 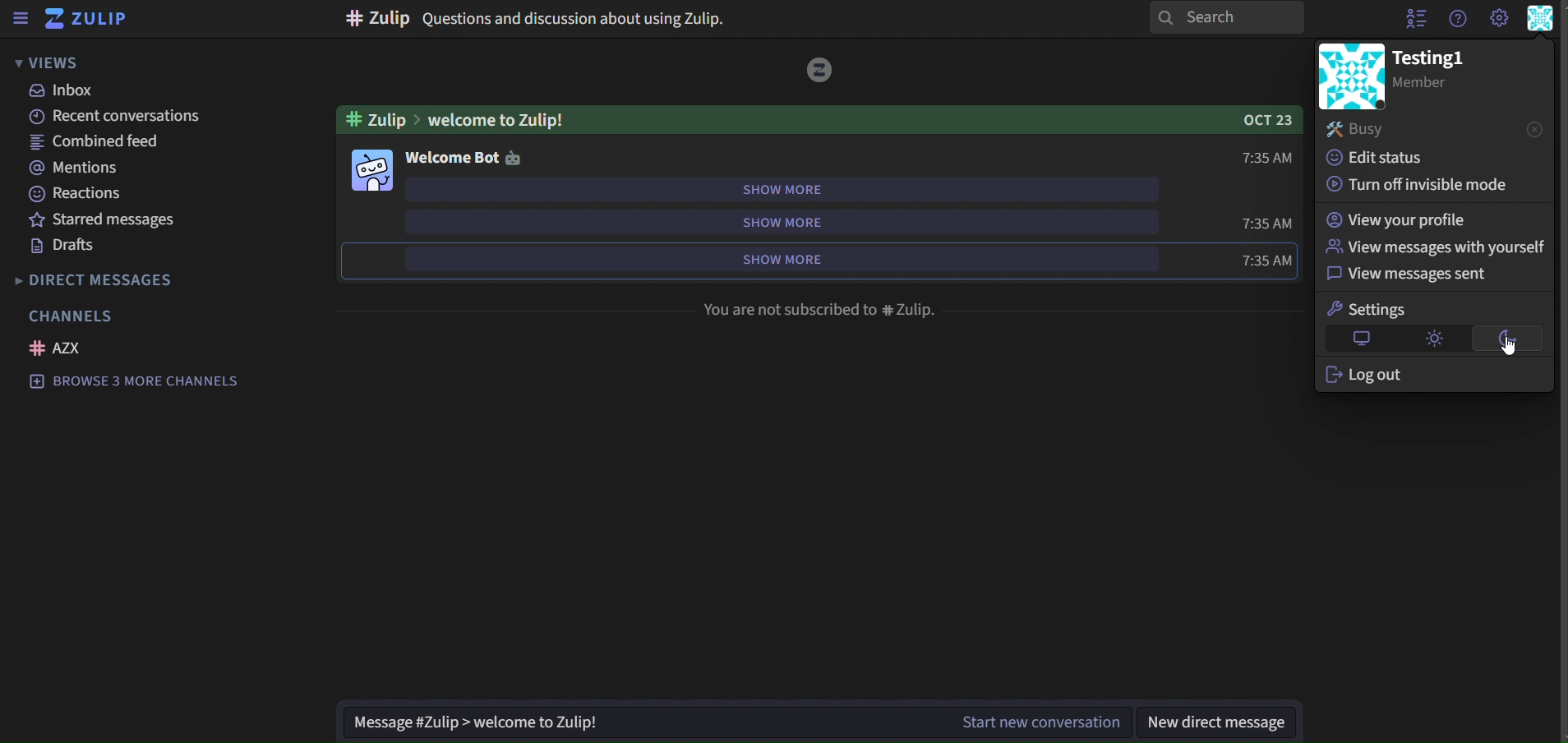 I want to click on browse 3 more channels, so click(x=135, y=381).